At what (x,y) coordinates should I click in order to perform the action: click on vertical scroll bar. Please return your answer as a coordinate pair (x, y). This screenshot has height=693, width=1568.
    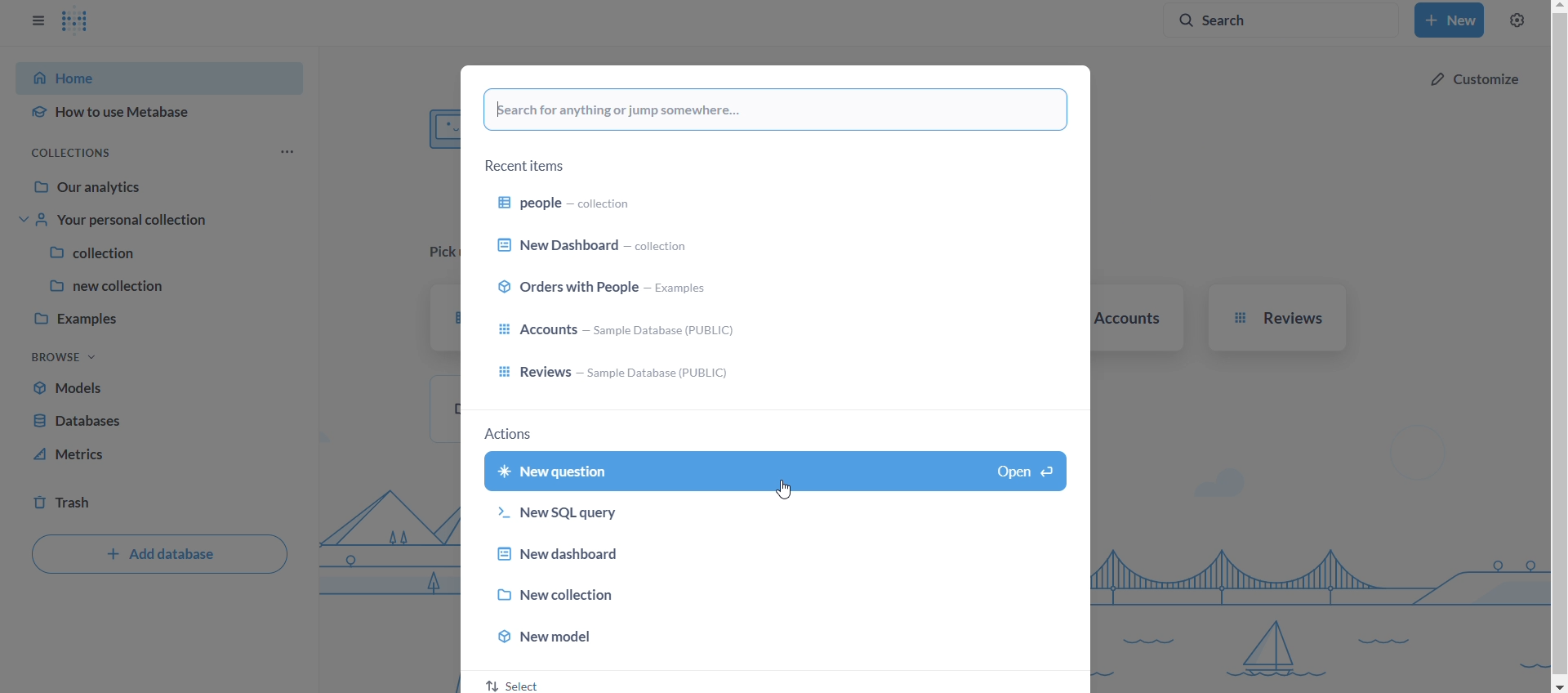
    Looking at the image, I should click on (1558, 346).